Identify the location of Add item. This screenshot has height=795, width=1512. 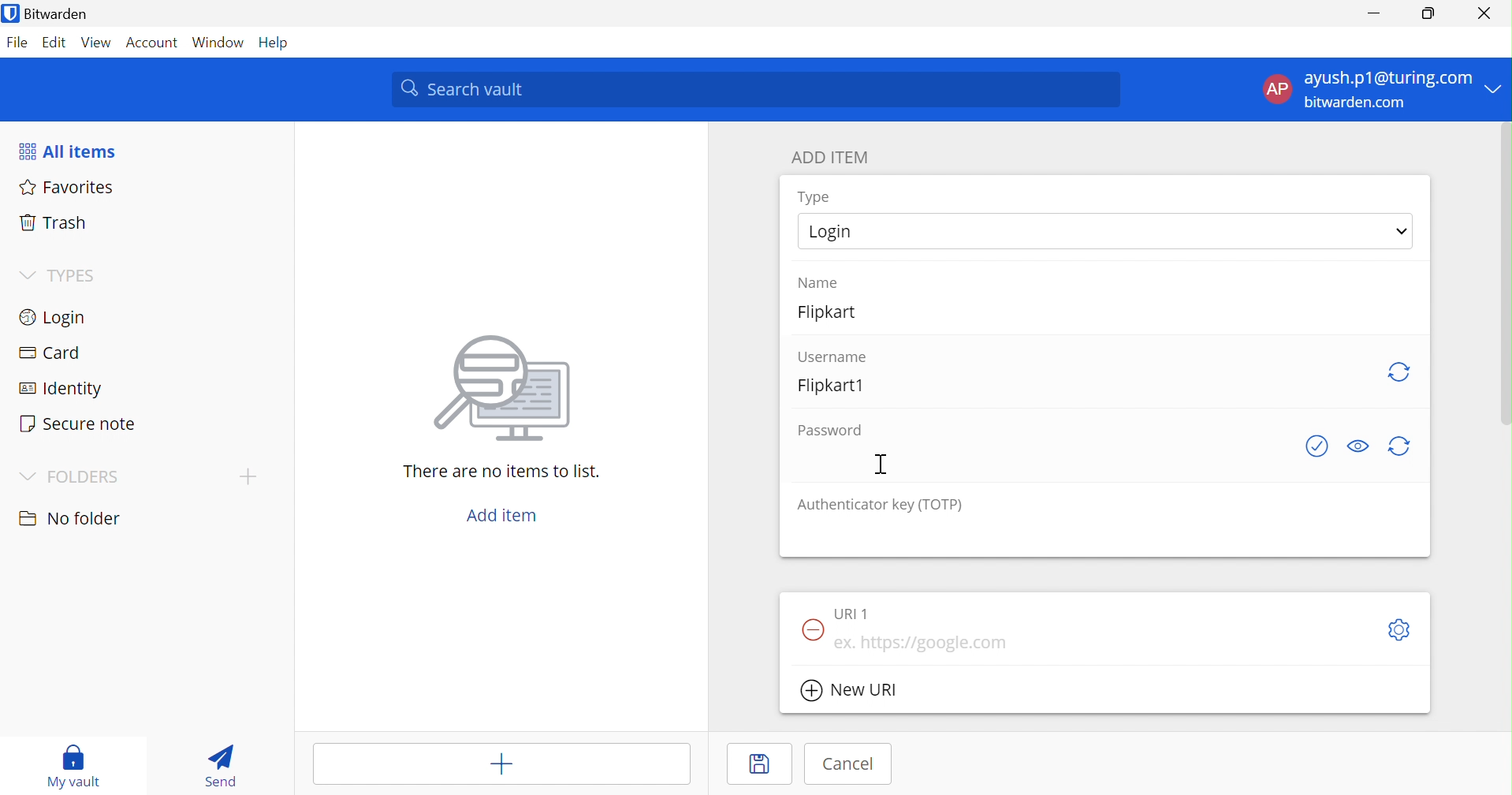
(501, 765).